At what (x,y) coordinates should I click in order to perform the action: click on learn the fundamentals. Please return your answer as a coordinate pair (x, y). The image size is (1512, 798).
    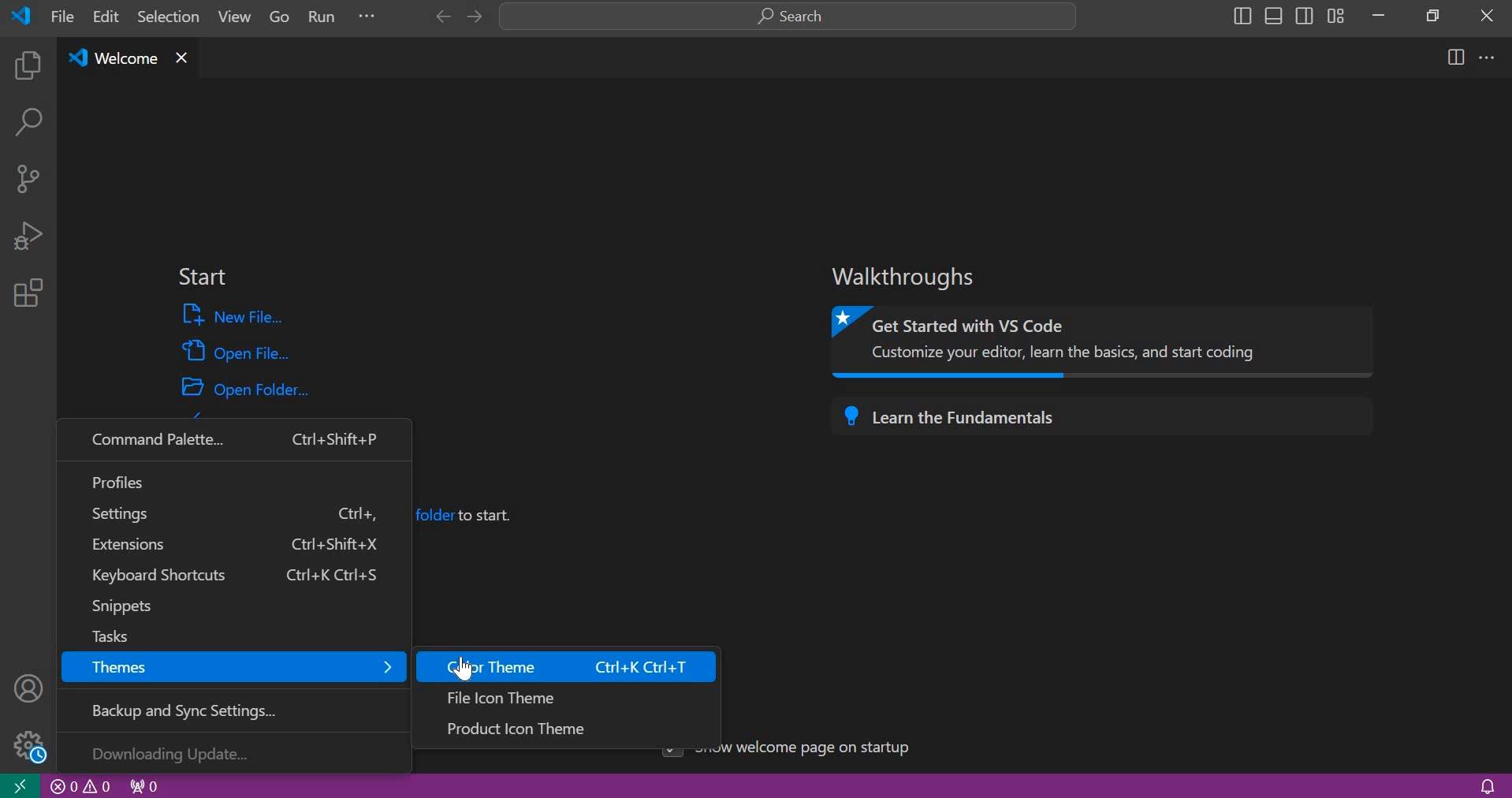
    Looking at the image, I should click on (1108, 416).